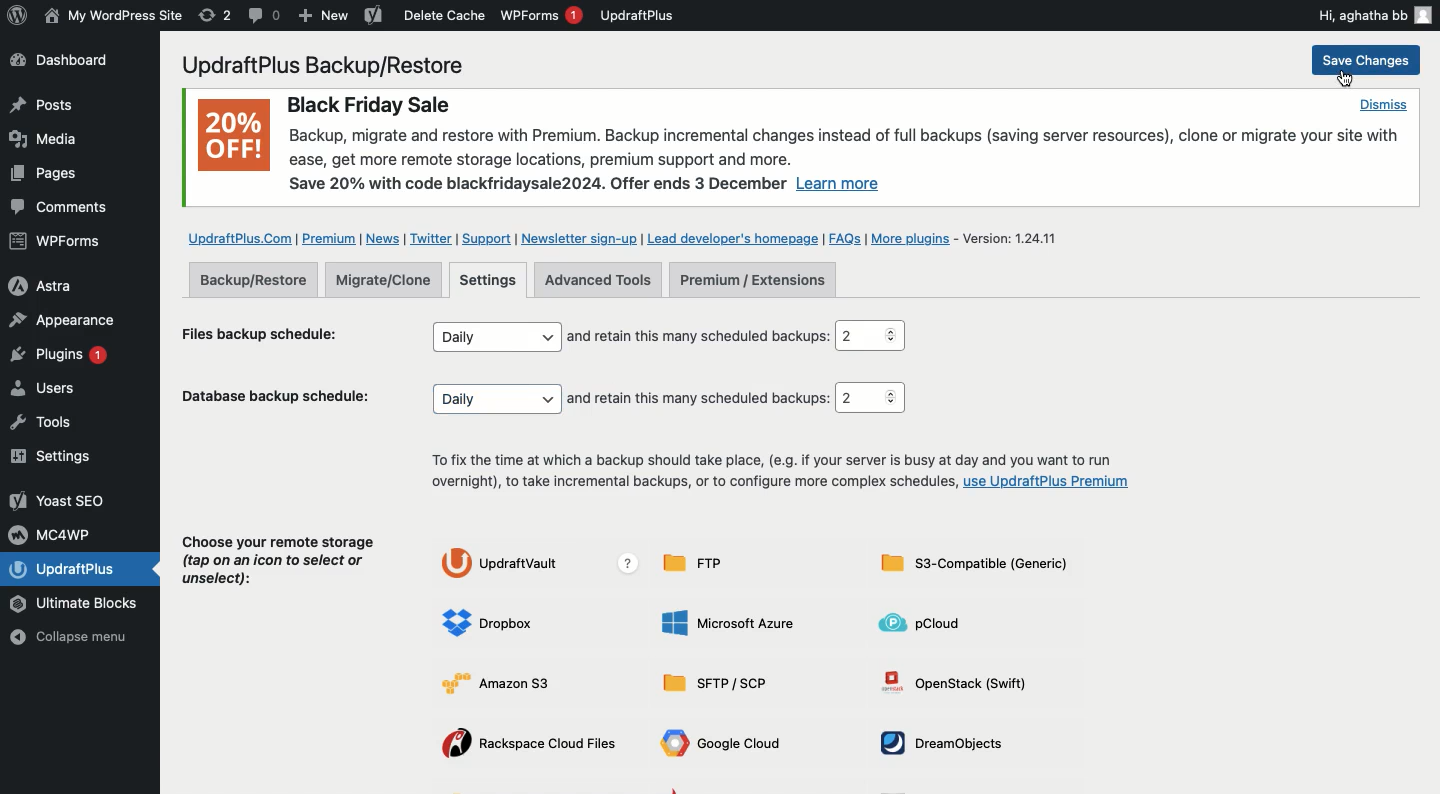 This screenshot has width=1440, height=794. Describe the element at coordinates (731, 622) in the screenshot. I see `Microsoft Azure` at that location.